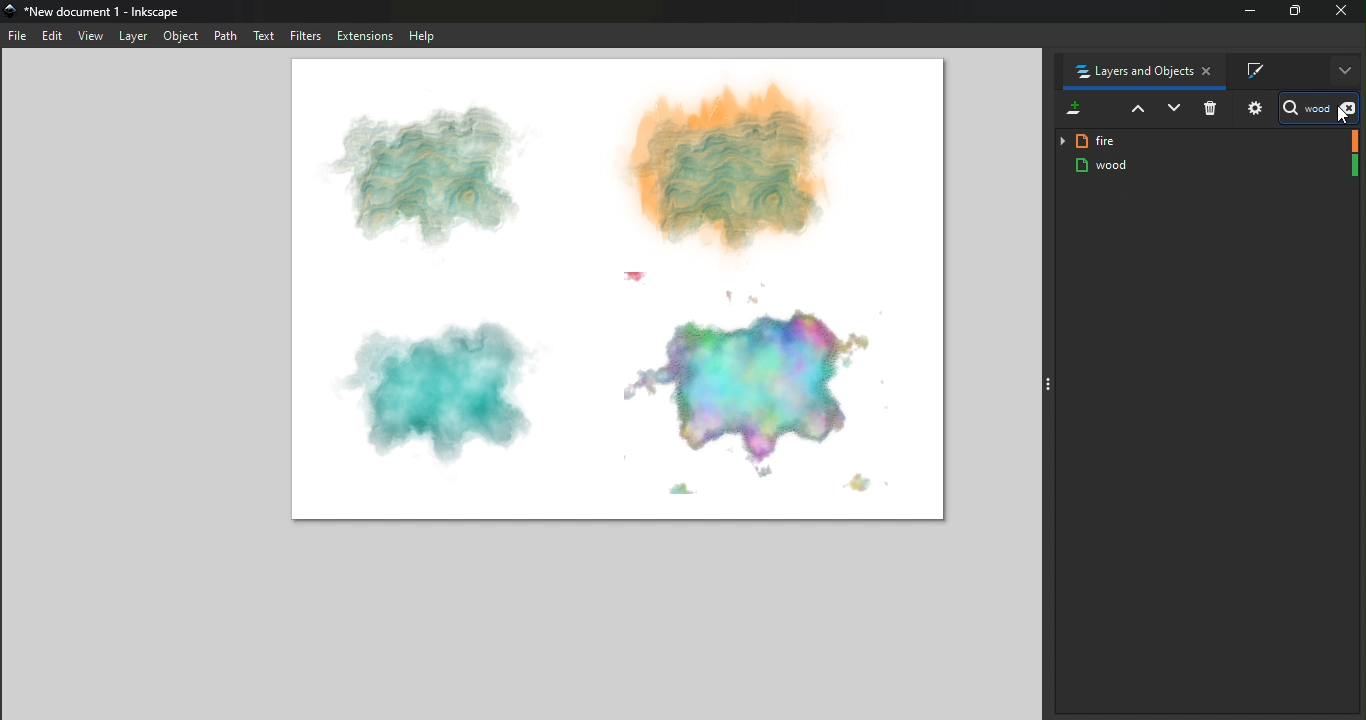 The image size is (1366, 720). I want to click on Filters, so click(307, 35).